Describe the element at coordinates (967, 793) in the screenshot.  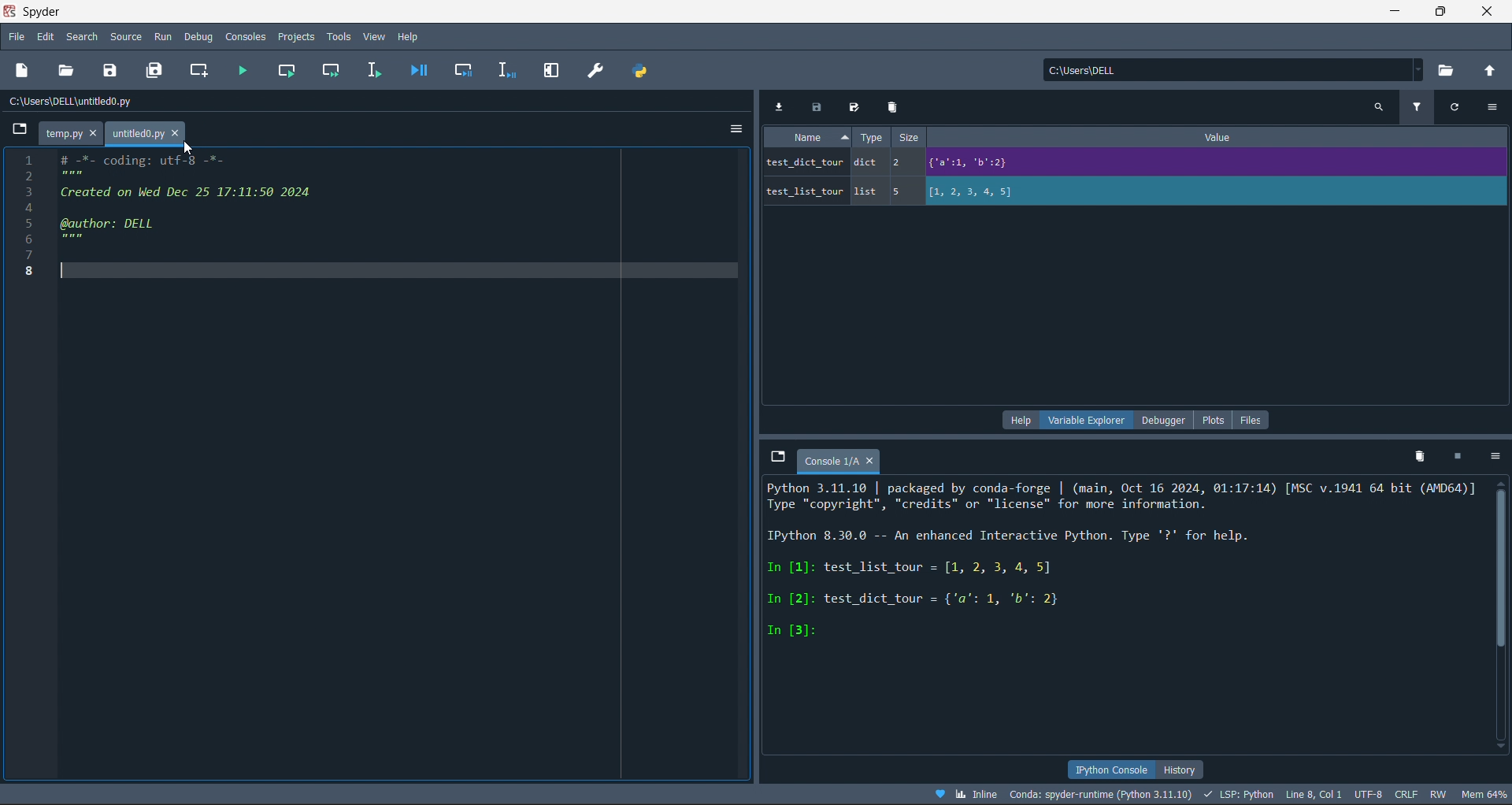
I see `Inline` at that location.